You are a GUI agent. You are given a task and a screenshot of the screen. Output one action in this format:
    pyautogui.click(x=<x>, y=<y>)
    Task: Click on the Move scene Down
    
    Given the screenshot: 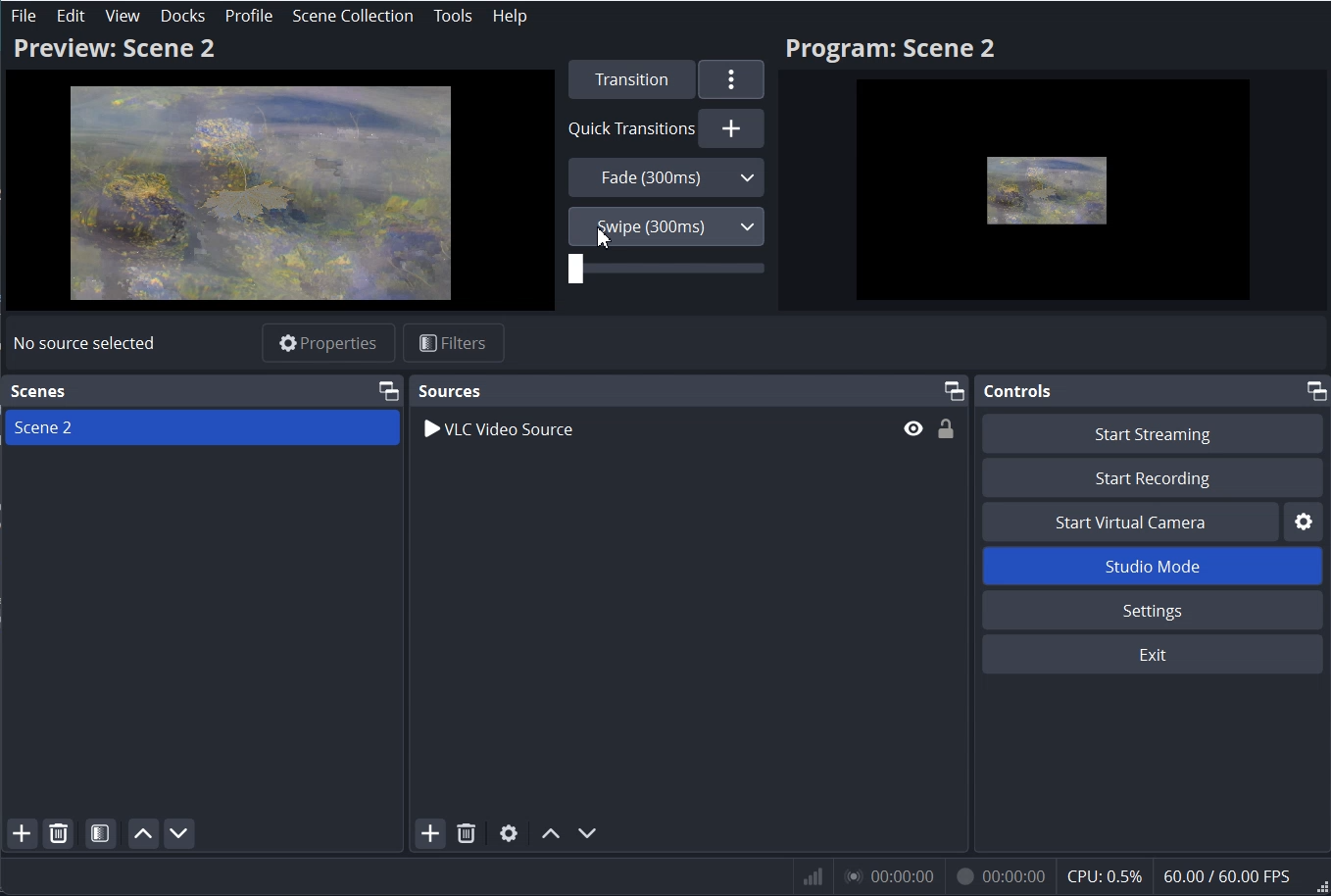 What is the action you would take?
    pyautogui.click(x=179, y=832)
    